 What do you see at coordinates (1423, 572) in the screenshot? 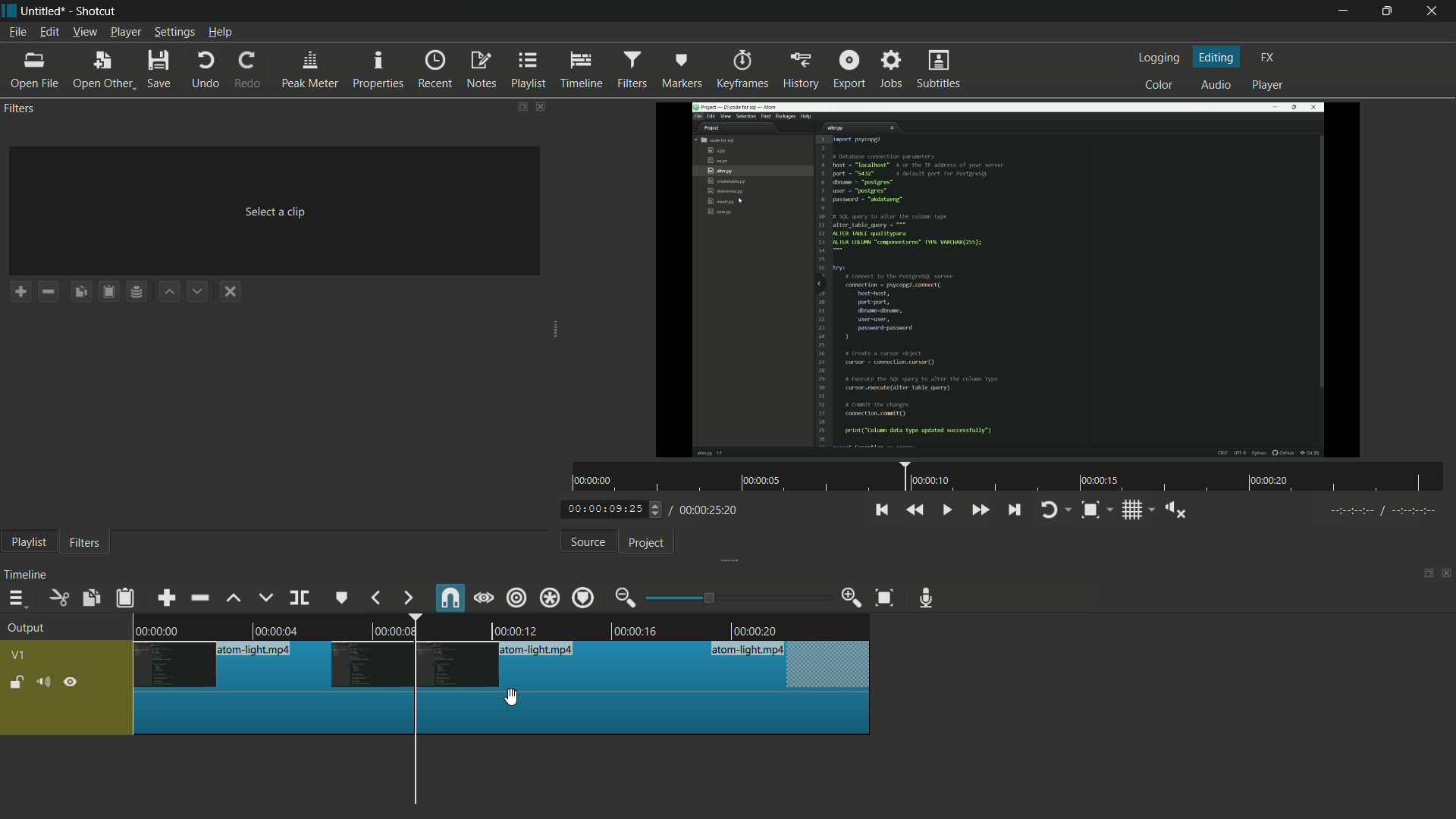
I see `change layout` at bounding box center [1423, 572].